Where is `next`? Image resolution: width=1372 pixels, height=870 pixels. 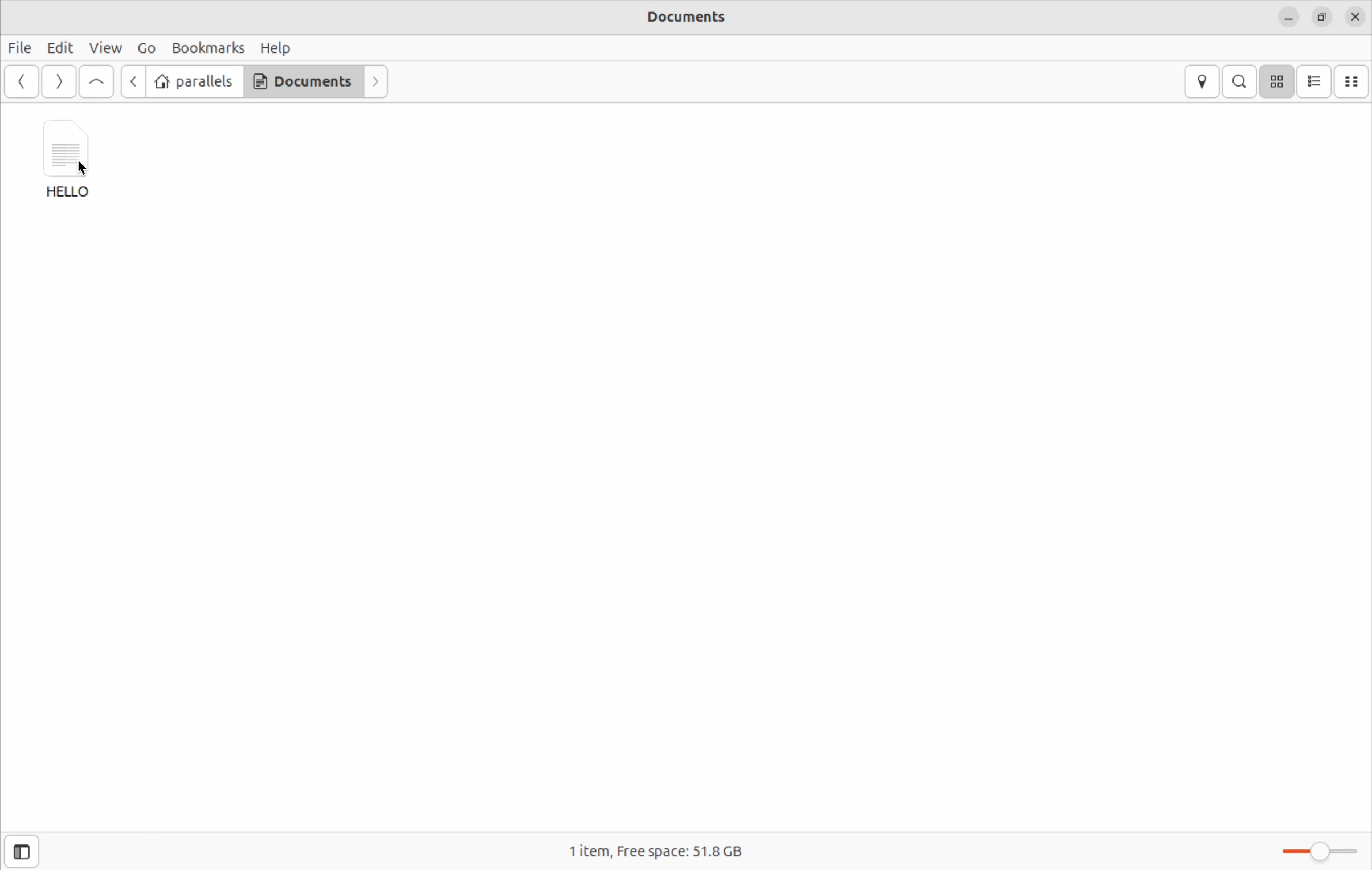 next is located at coordinates (375, 79).